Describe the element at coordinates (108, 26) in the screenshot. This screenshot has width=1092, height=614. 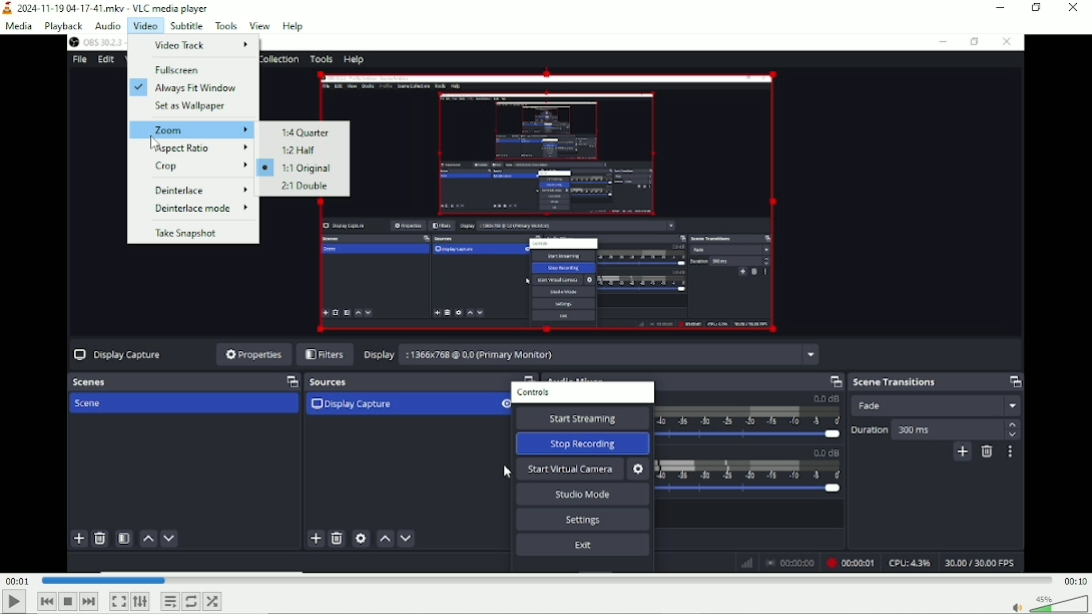
I see `Audio` at that location.